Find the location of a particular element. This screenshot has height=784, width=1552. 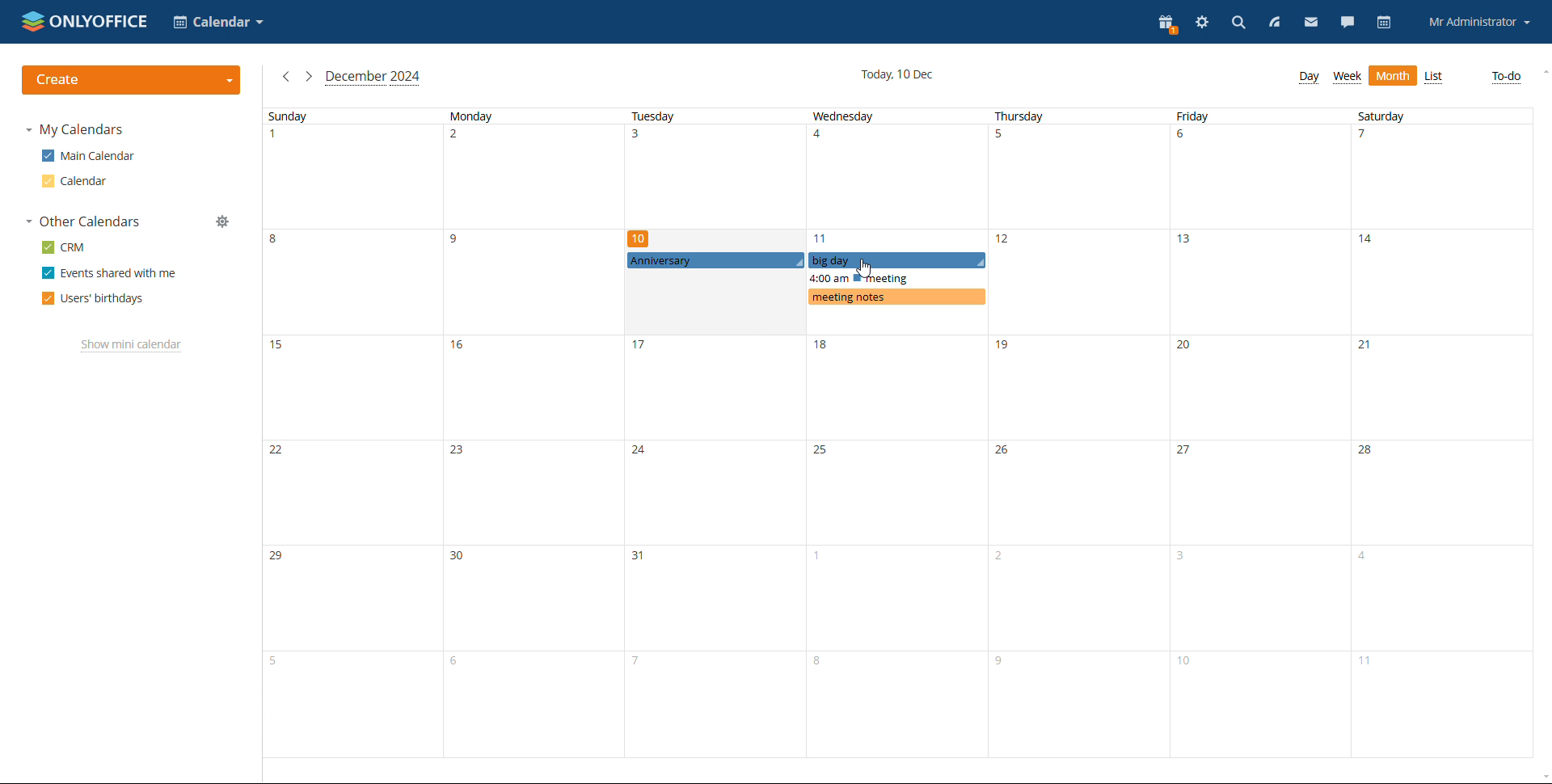

wednesda is located at coordinates (896, 433).